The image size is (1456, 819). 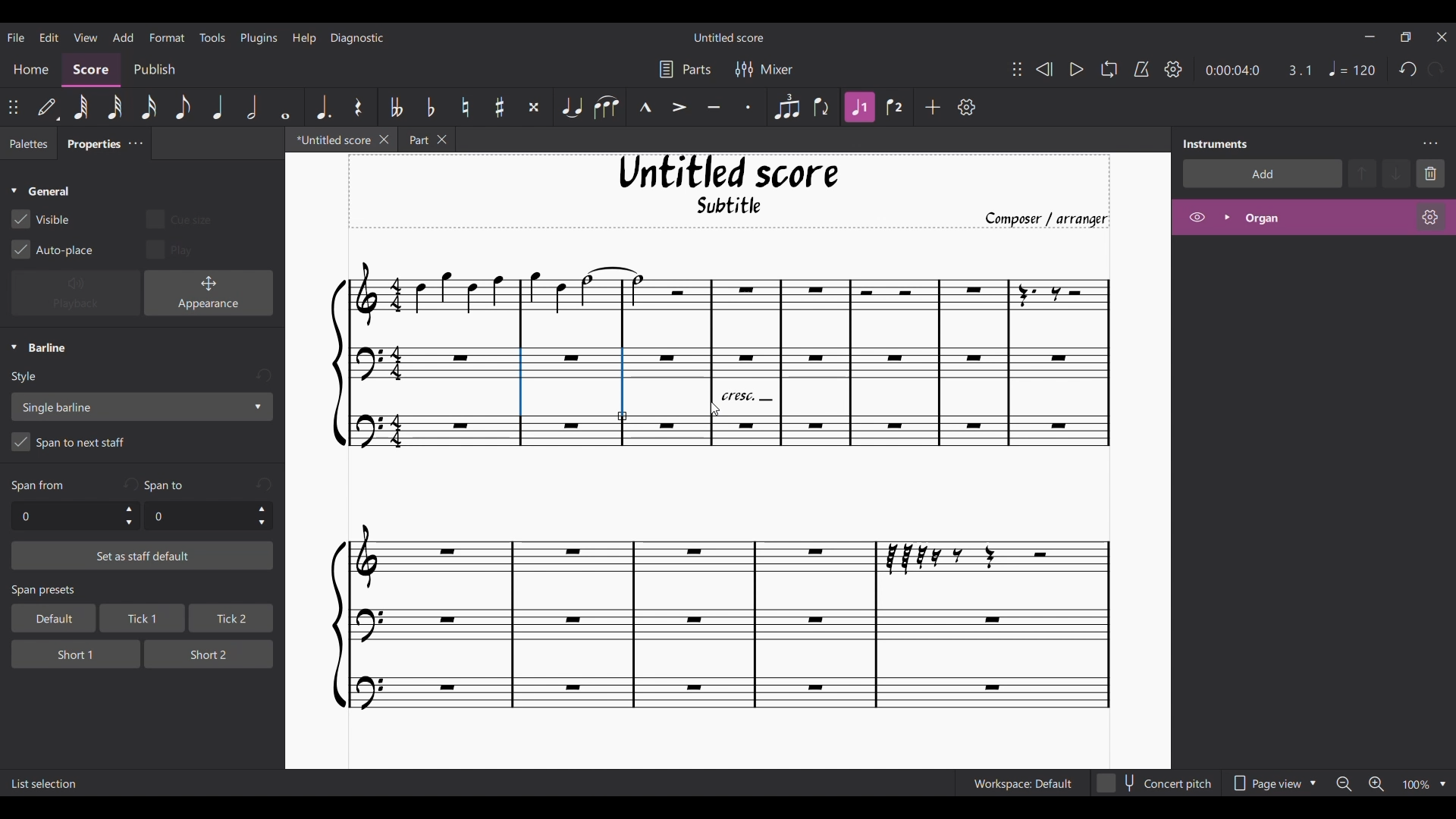 What do you see at coordinates (130, 484) in the screenshot?
I see `Undo input made` at bounding box center [130, 484].